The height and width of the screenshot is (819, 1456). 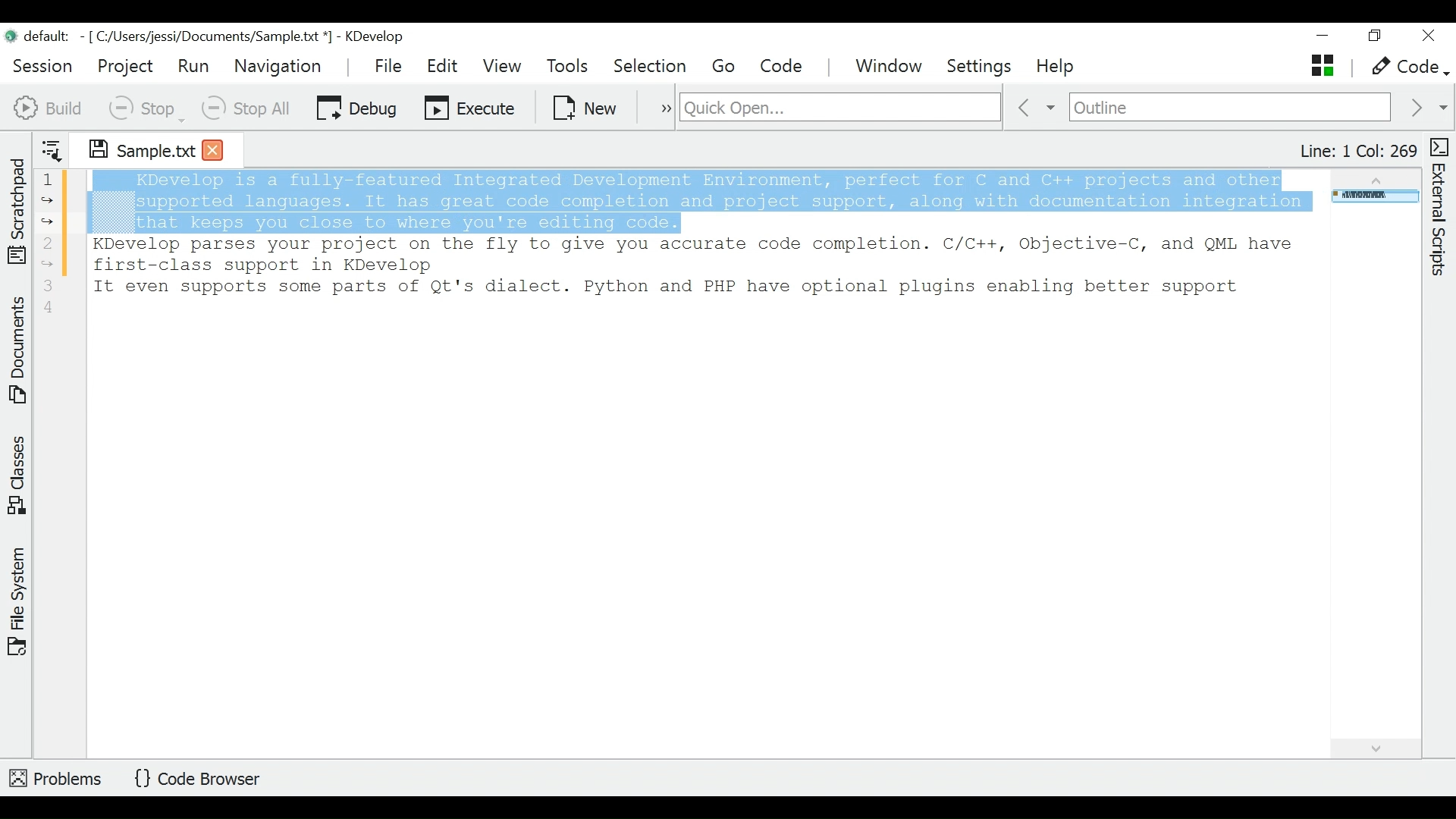 I want to click on Debug, so click(x=356, y=106).